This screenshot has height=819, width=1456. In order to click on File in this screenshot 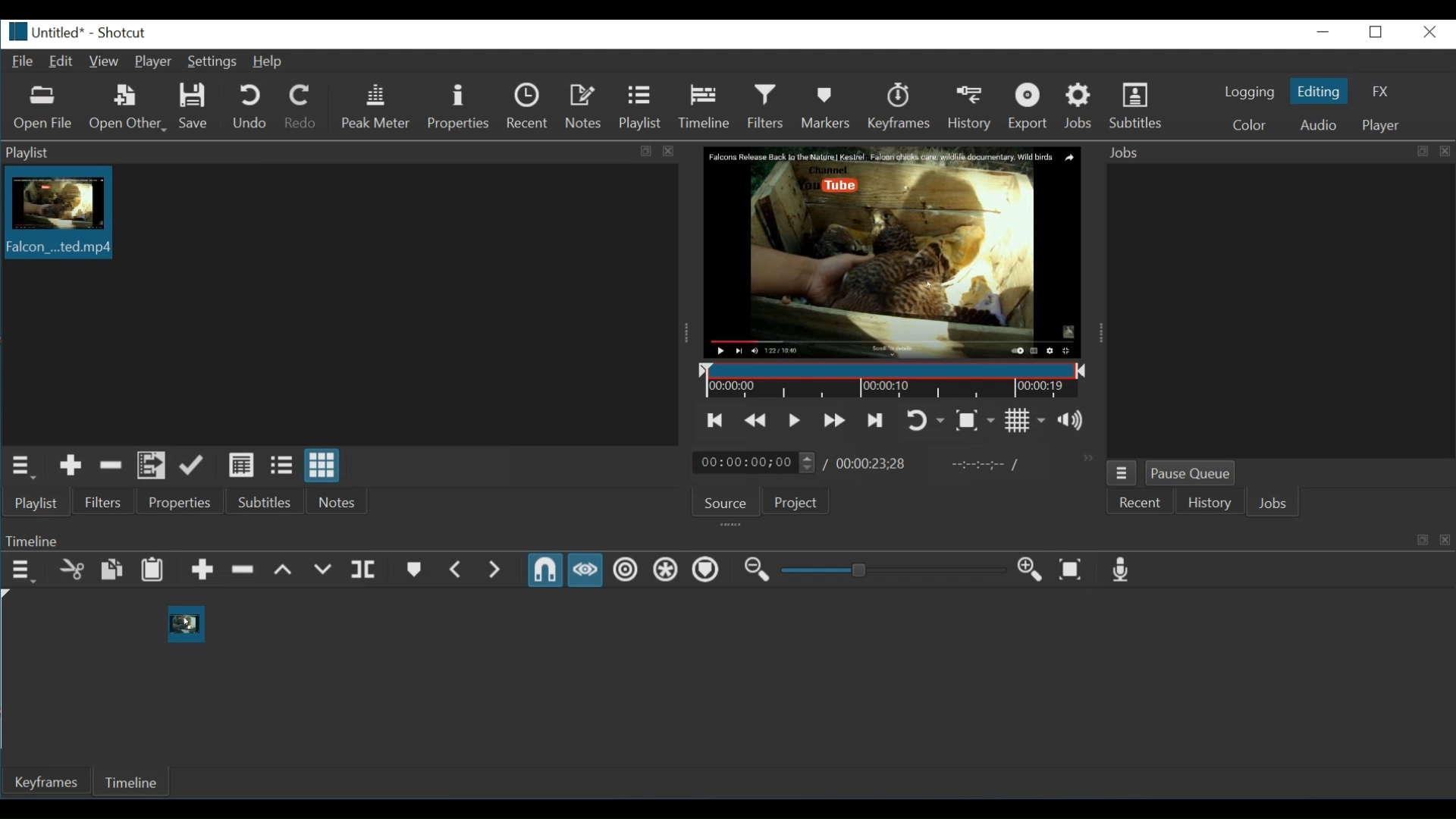, I will do `click(20, 60)`.